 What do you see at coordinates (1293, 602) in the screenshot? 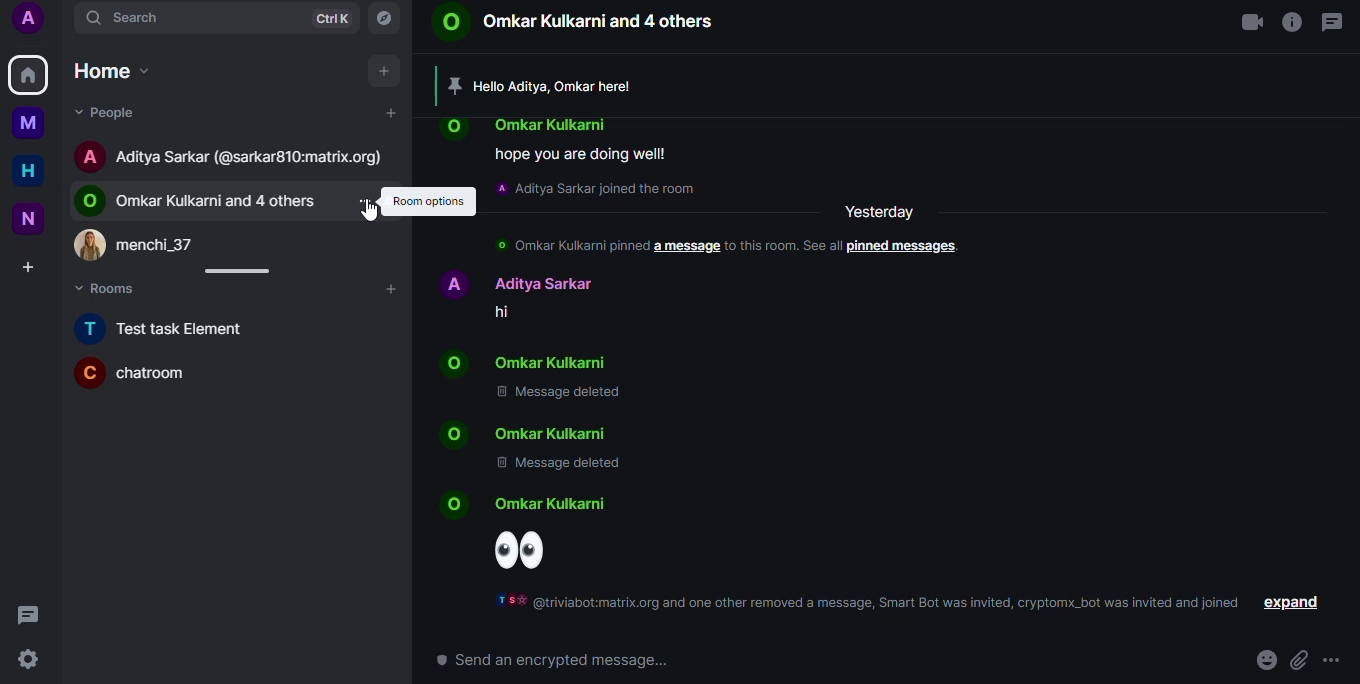
I see `‘expand` at bounding box center [1293, 602].